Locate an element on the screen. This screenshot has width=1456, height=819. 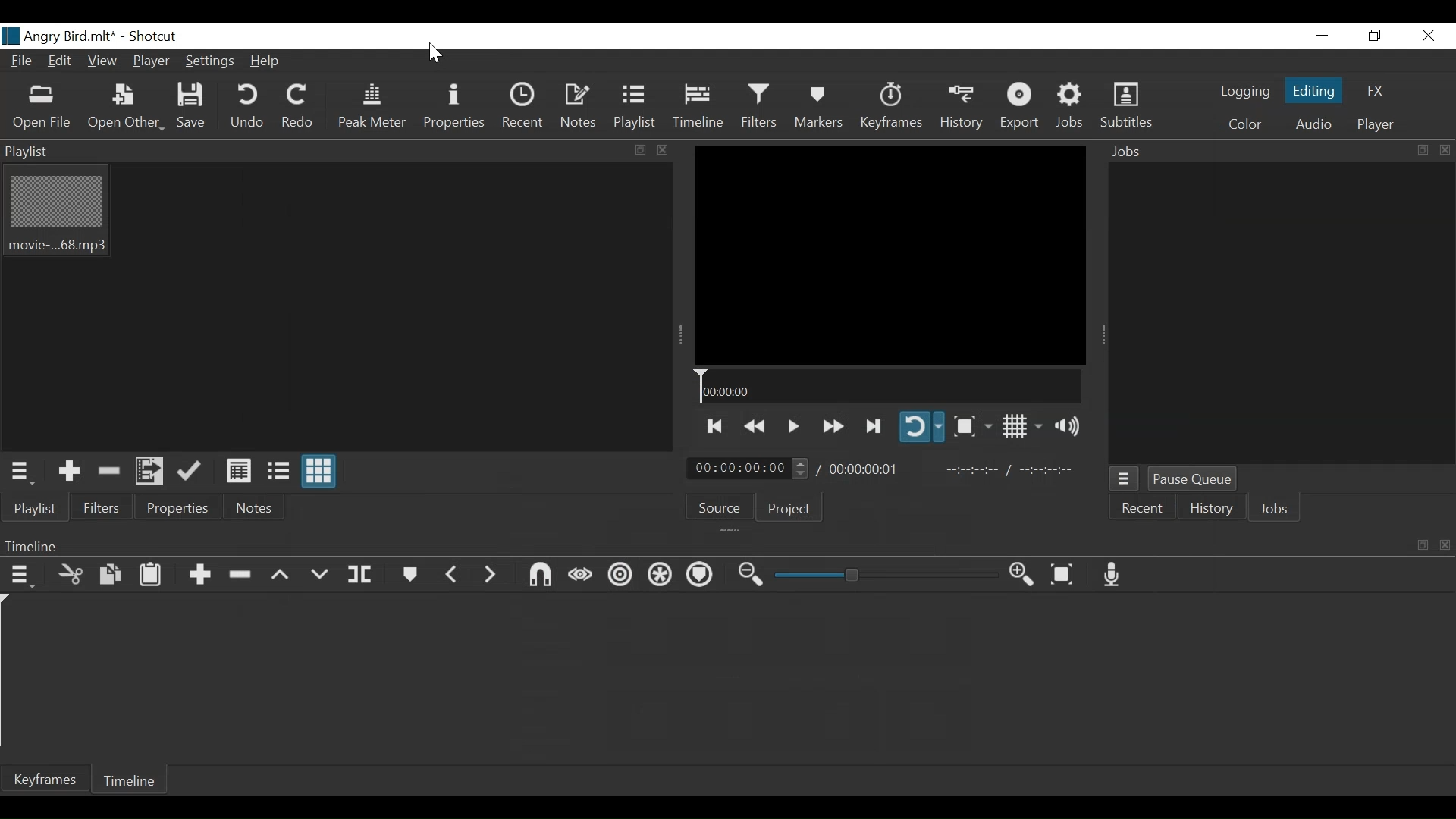
File is located at coordinates (24, 63).